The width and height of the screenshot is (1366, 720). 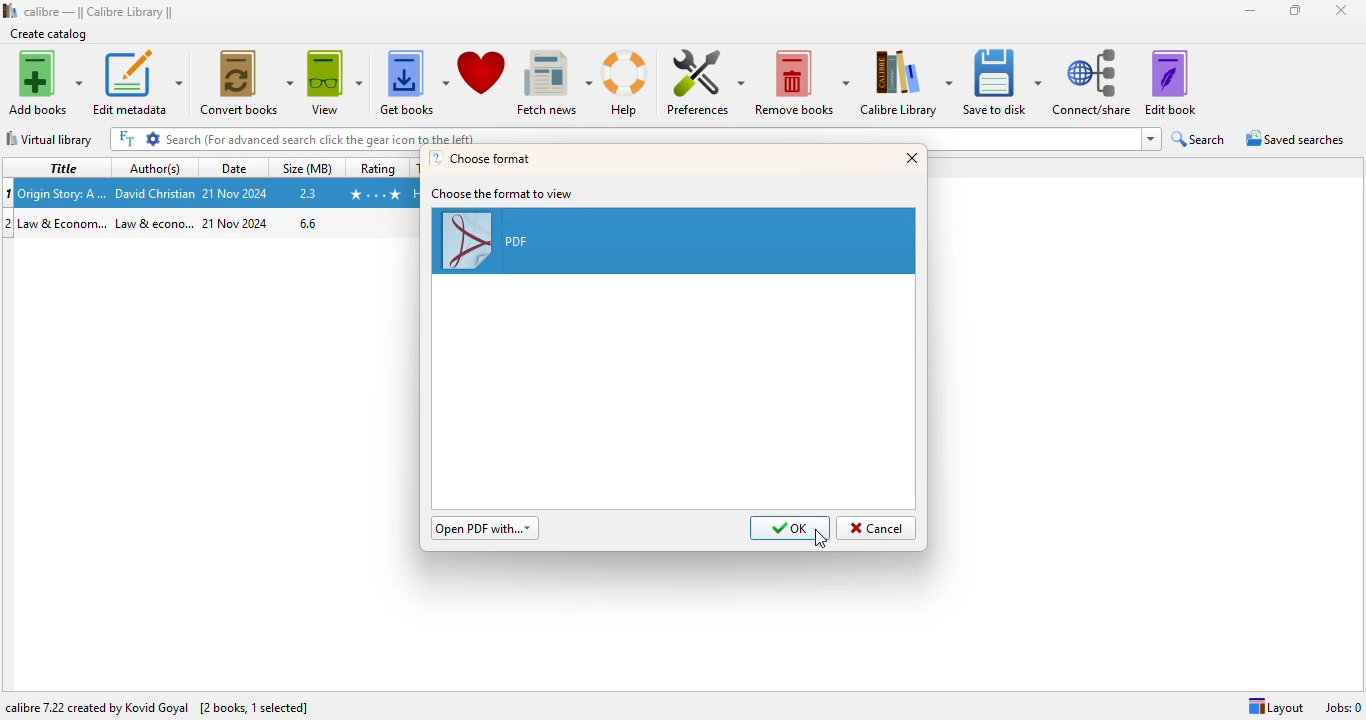 I want to click on add books, so click(x=44, y=82).